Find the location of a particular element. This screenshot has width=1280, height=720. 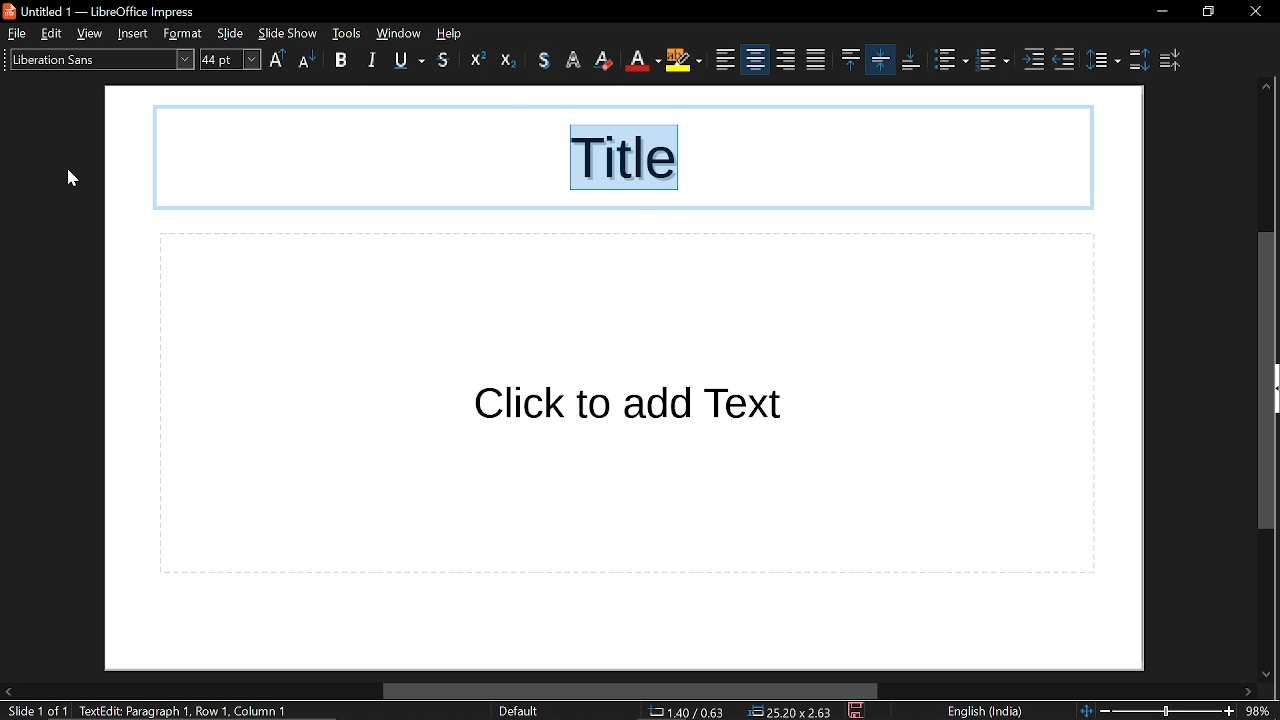

move right is located at coordinates (1247, 692).